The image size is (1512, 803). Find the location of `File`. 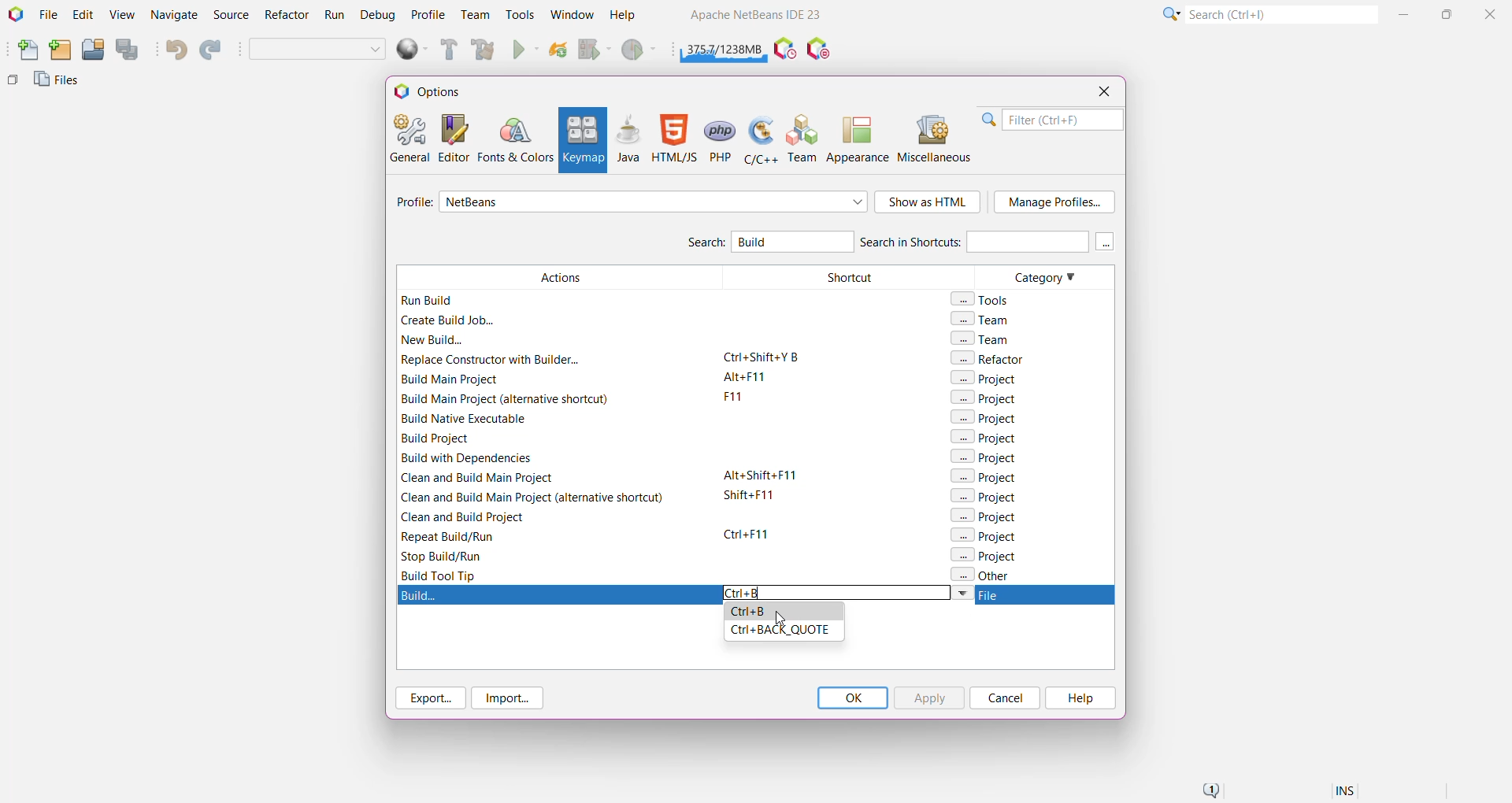

File is located at coordinates (48, 15).